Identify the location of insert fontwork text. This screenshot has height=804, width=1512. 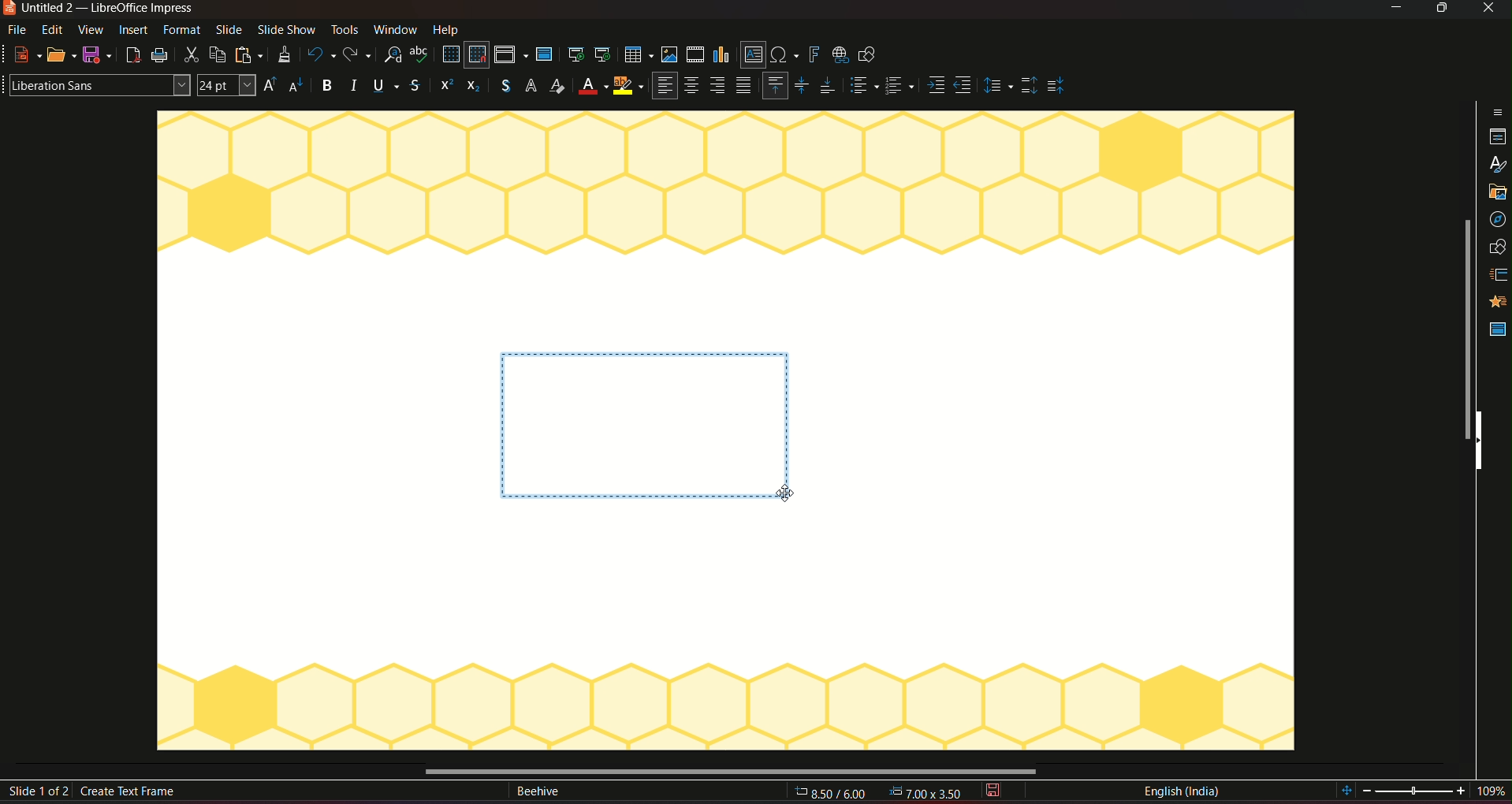
(814, 54).